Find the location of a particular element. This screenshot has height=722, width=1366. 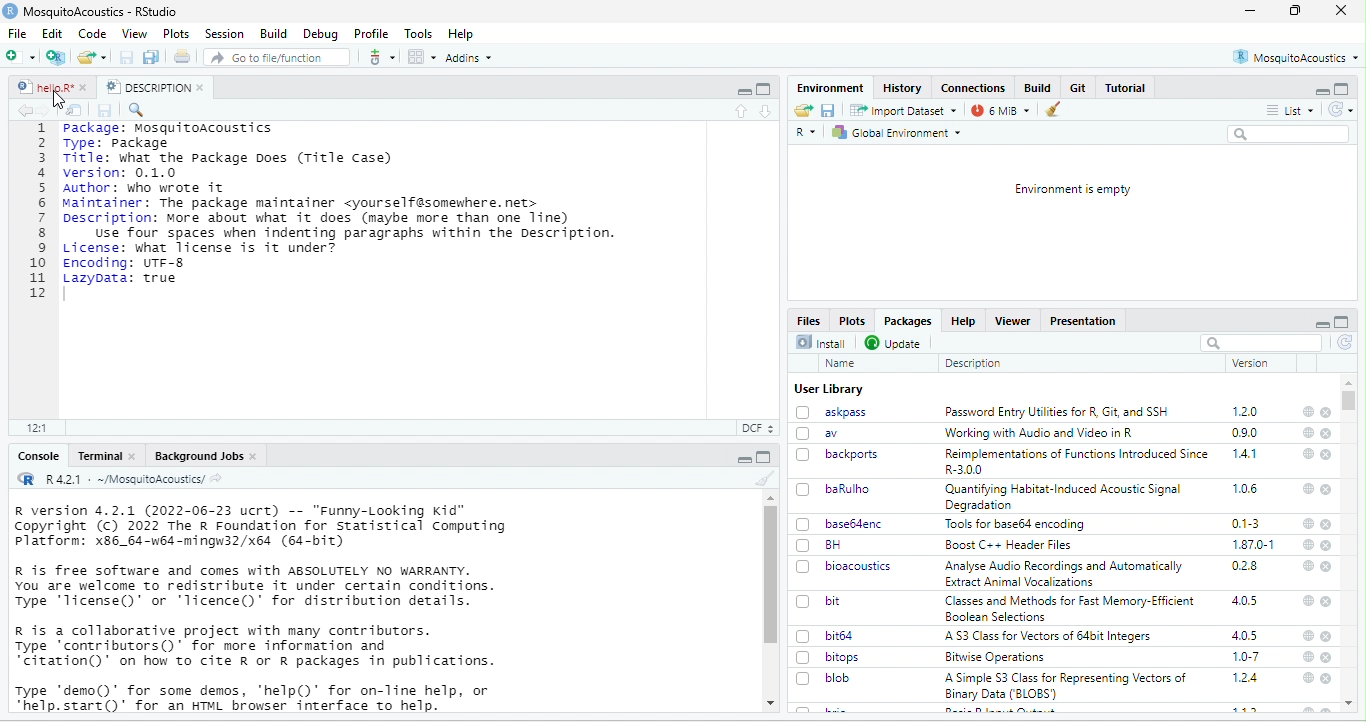

scroll bar is located at coordinates (772, 575).